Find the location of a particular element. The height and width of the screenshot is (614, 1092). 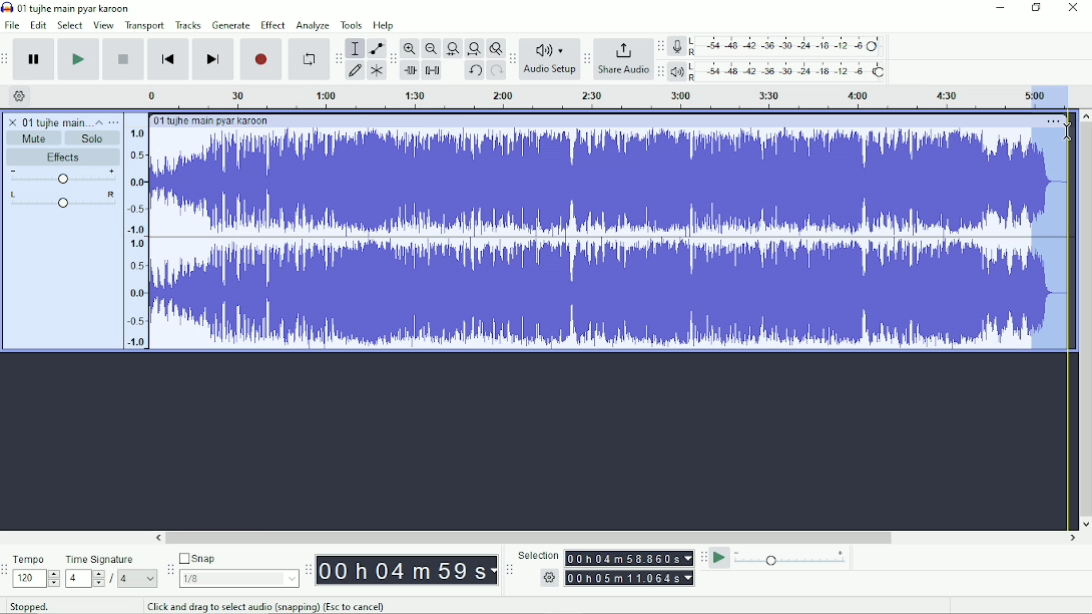

Mute is located at coordinates (34, 139).